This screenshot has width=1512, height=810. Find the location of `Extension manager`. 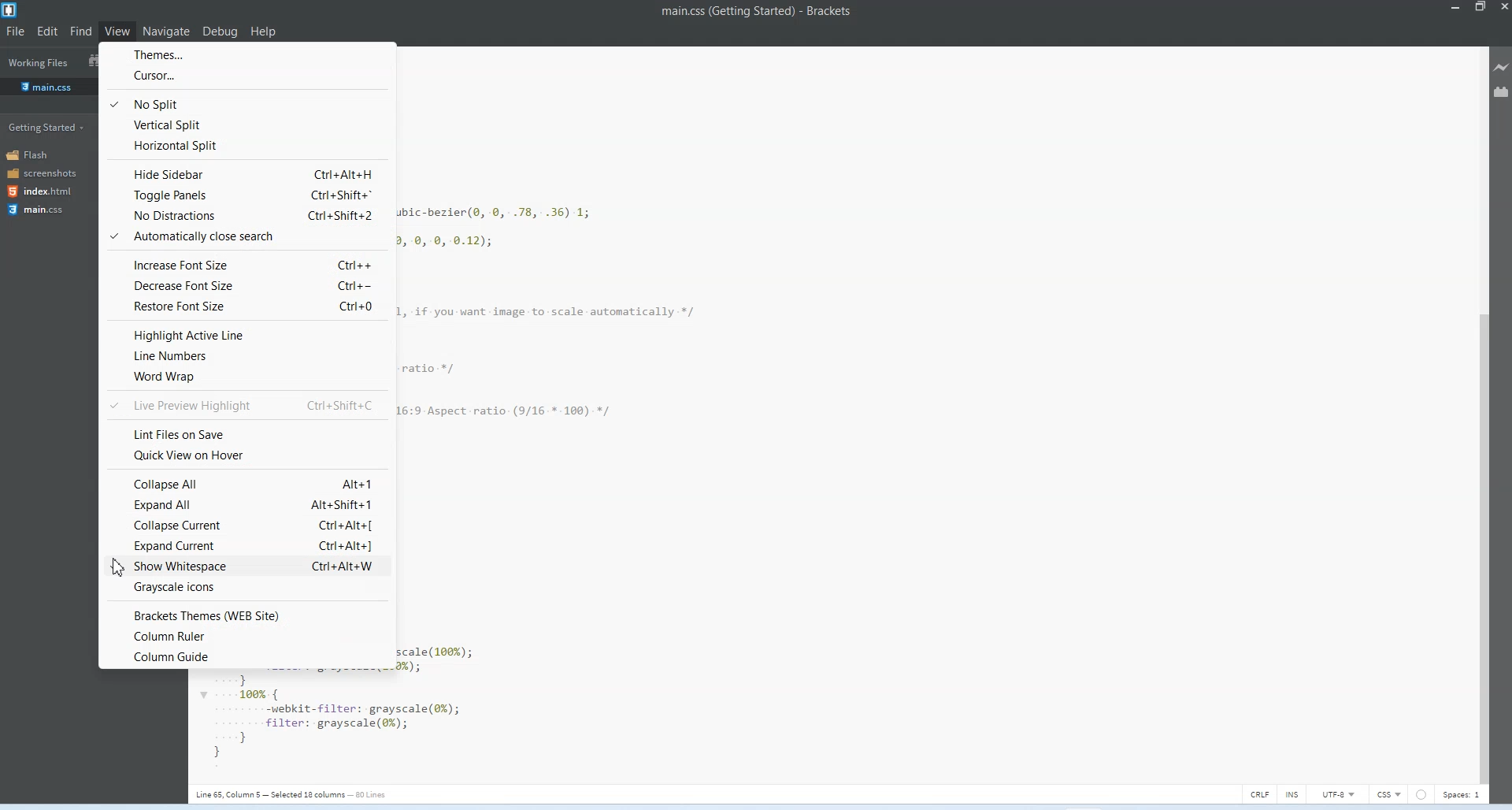

Extension manager is located at coordinates (1503, 92).